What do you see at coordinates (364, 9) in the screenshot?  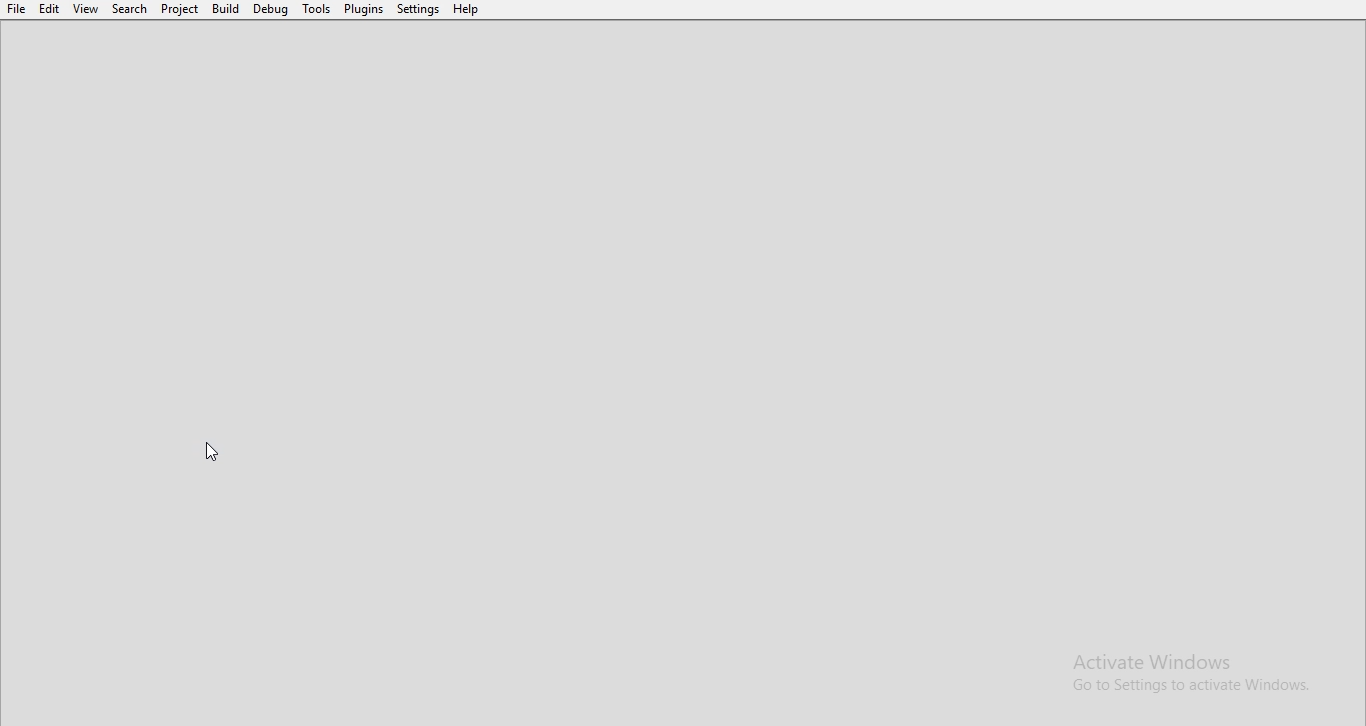 I see `Plugins ` at bounding box center [364, 9].